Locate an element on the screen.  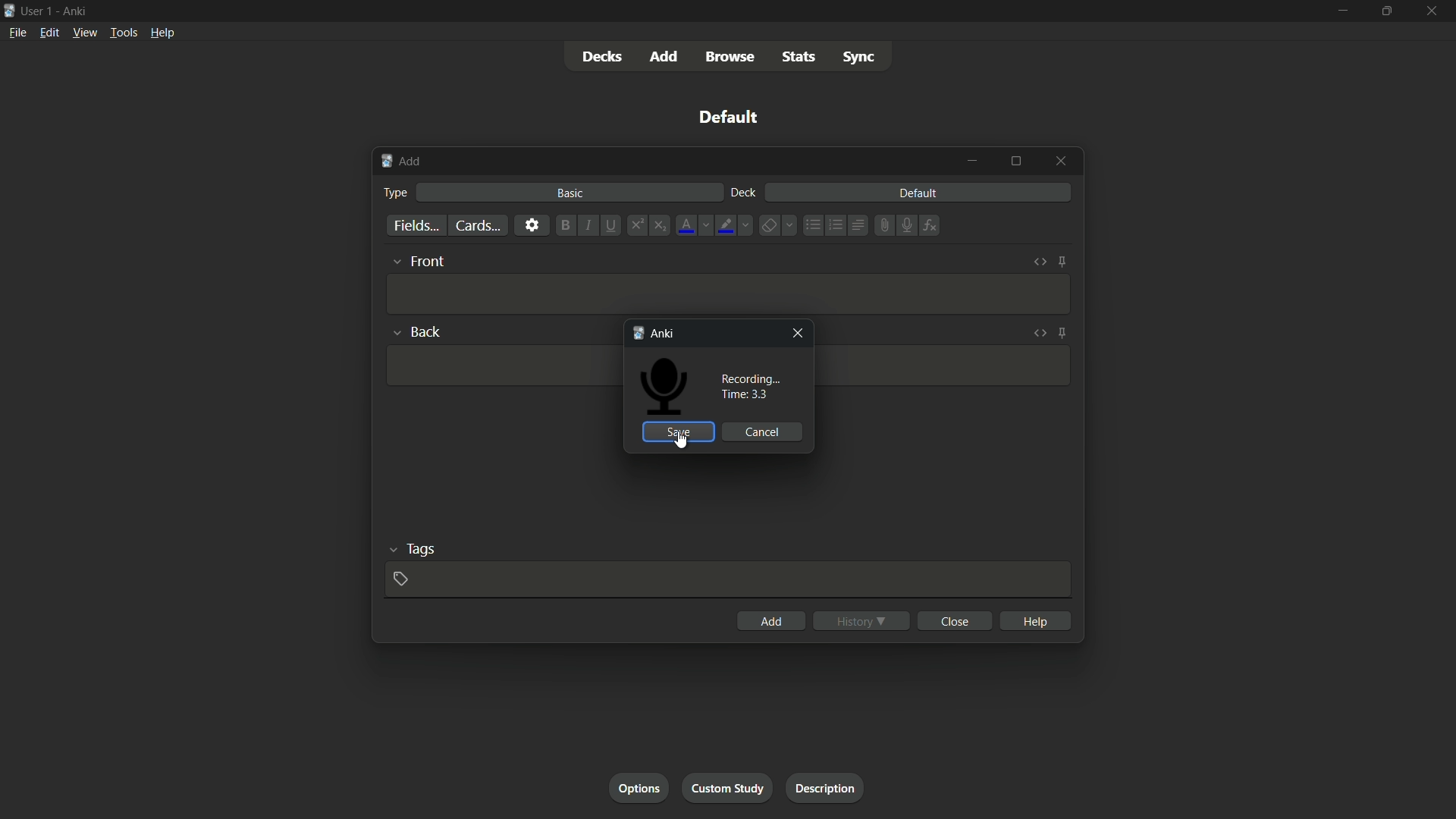
default is located at coordinates (729, 117).